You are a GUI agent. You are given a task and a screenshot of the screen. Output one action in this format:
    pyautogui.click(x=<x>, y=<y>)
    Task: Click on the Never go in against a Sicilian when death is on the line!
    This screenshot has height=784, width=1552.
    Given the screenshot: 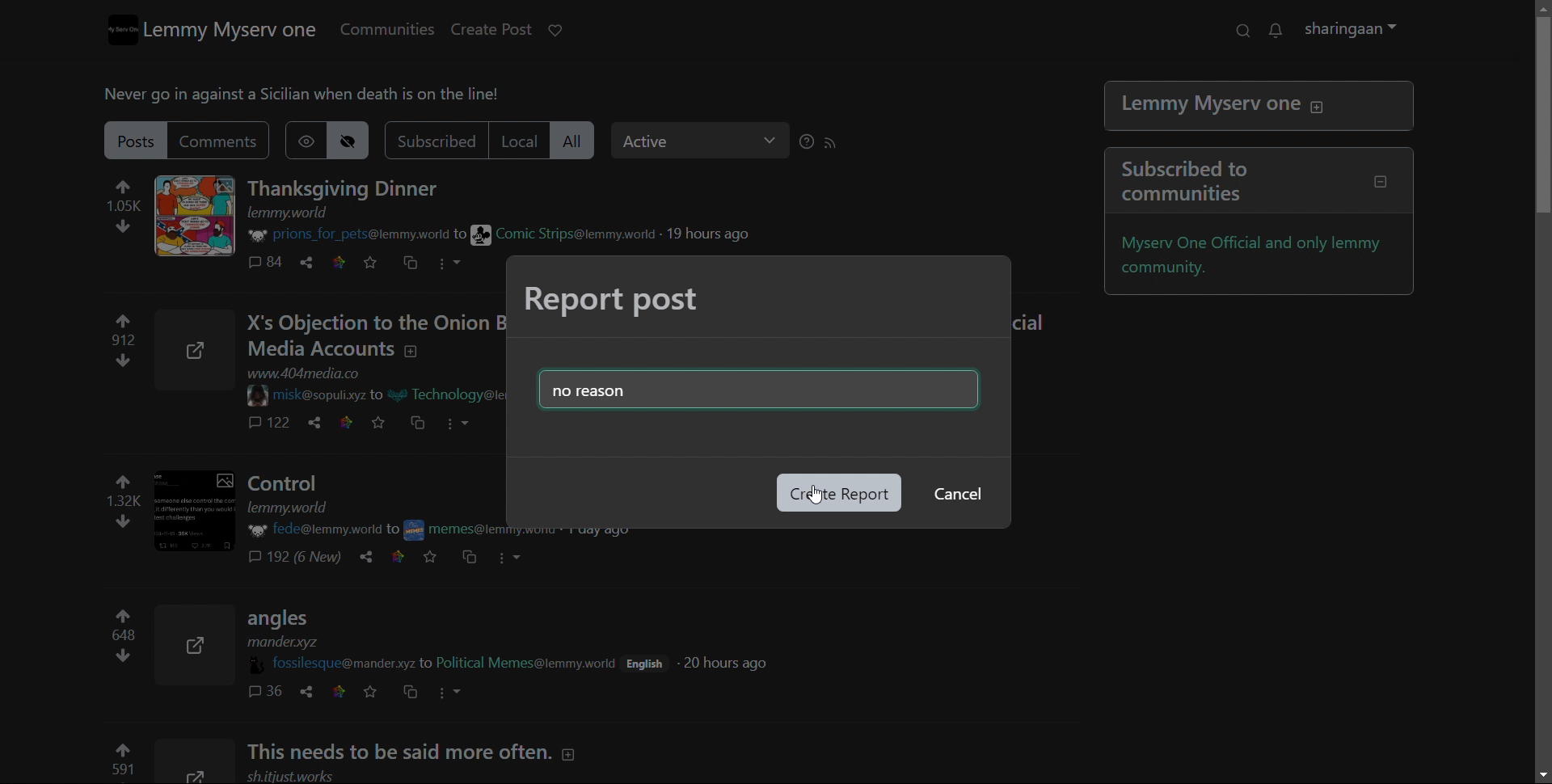 What is the action you would take?
    pyautogui.click(x=315, y=96)
    